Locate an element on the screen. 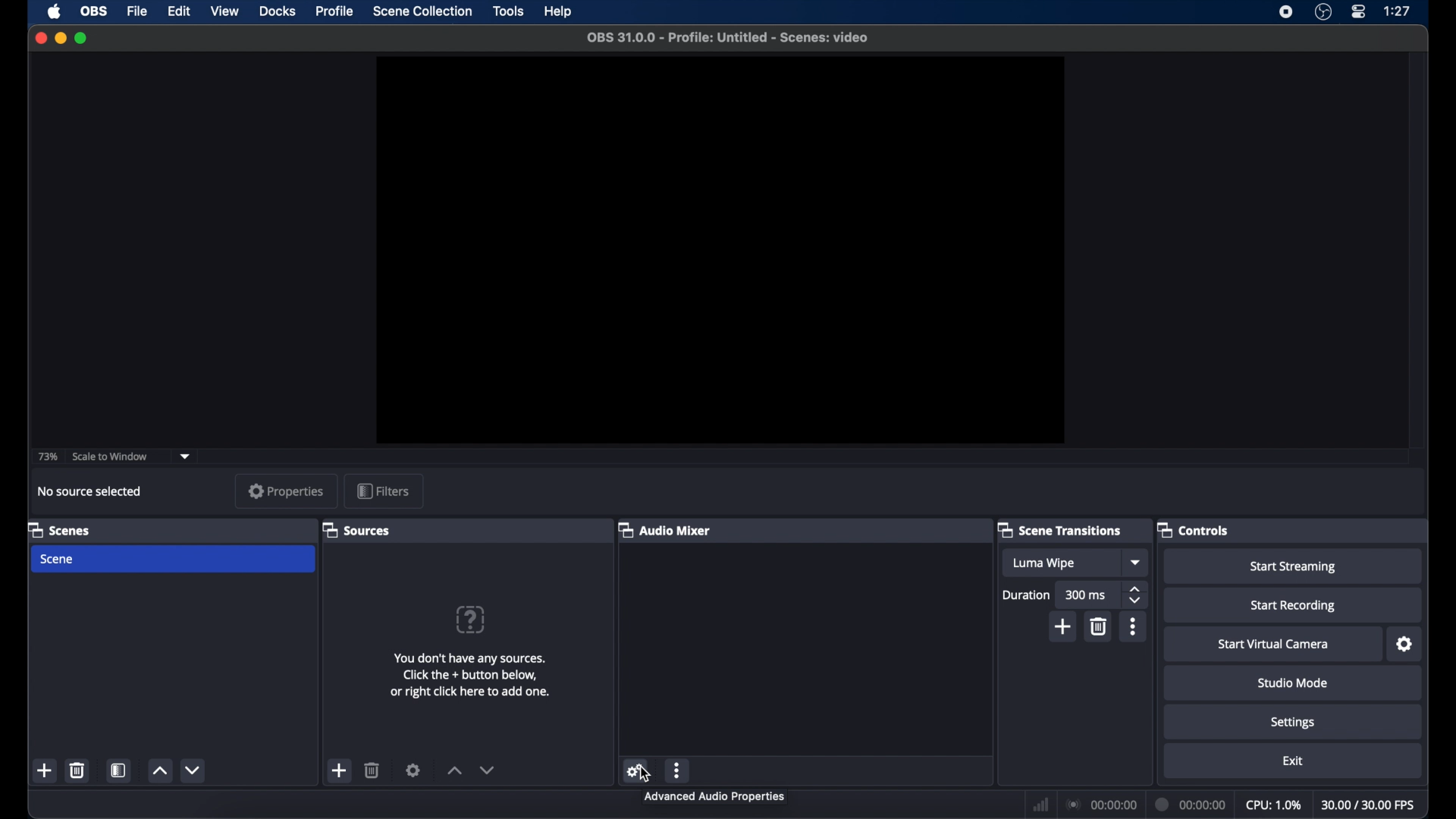 This screenshot has width=1456, height=819. cpu is located at coordinates (1272, 805).